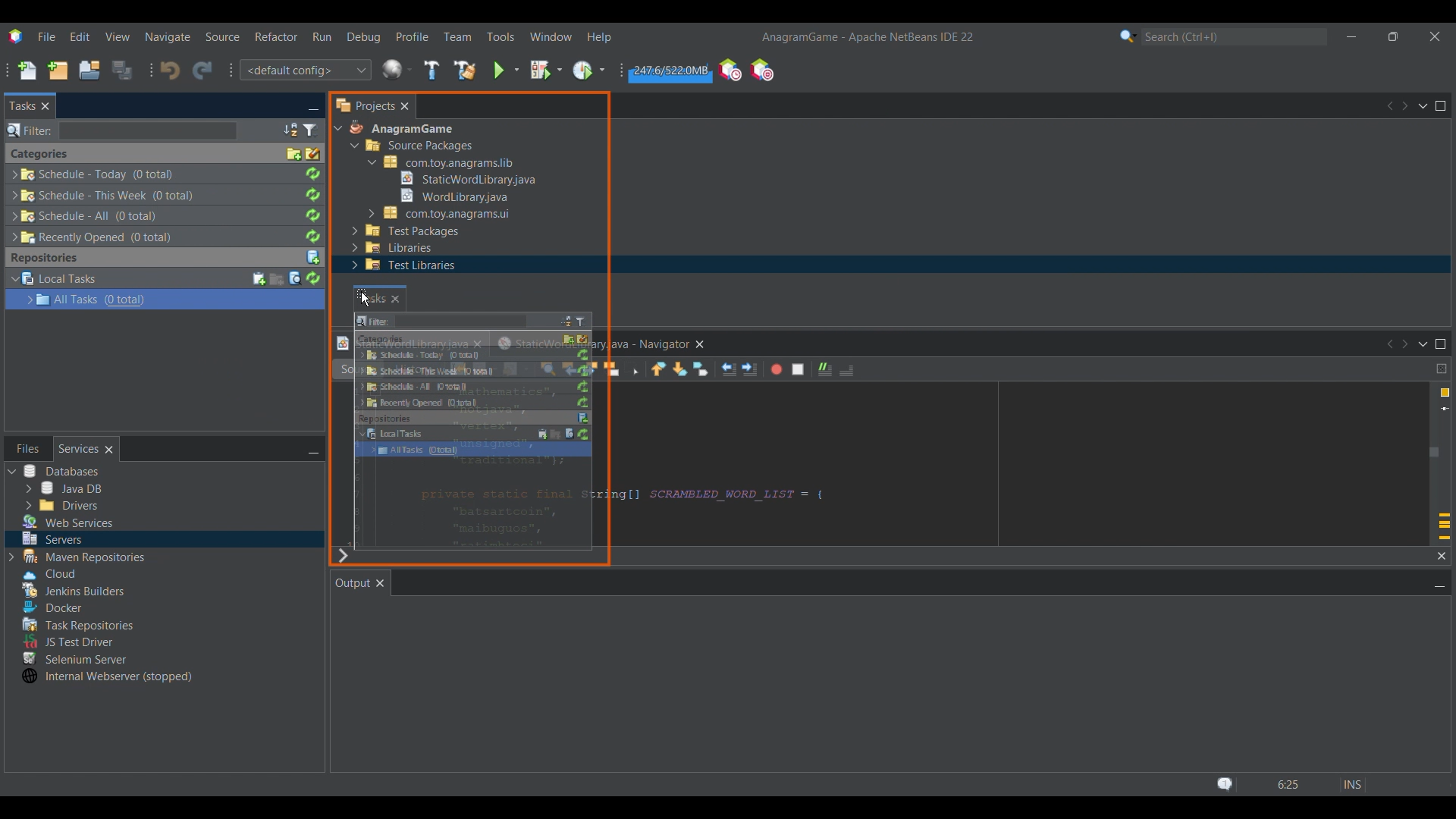 This screenshot has height=819, width=1456. What do you see at coordinates (470, 352) in the screenshot?
I see `` at bounding box center [470, 352].